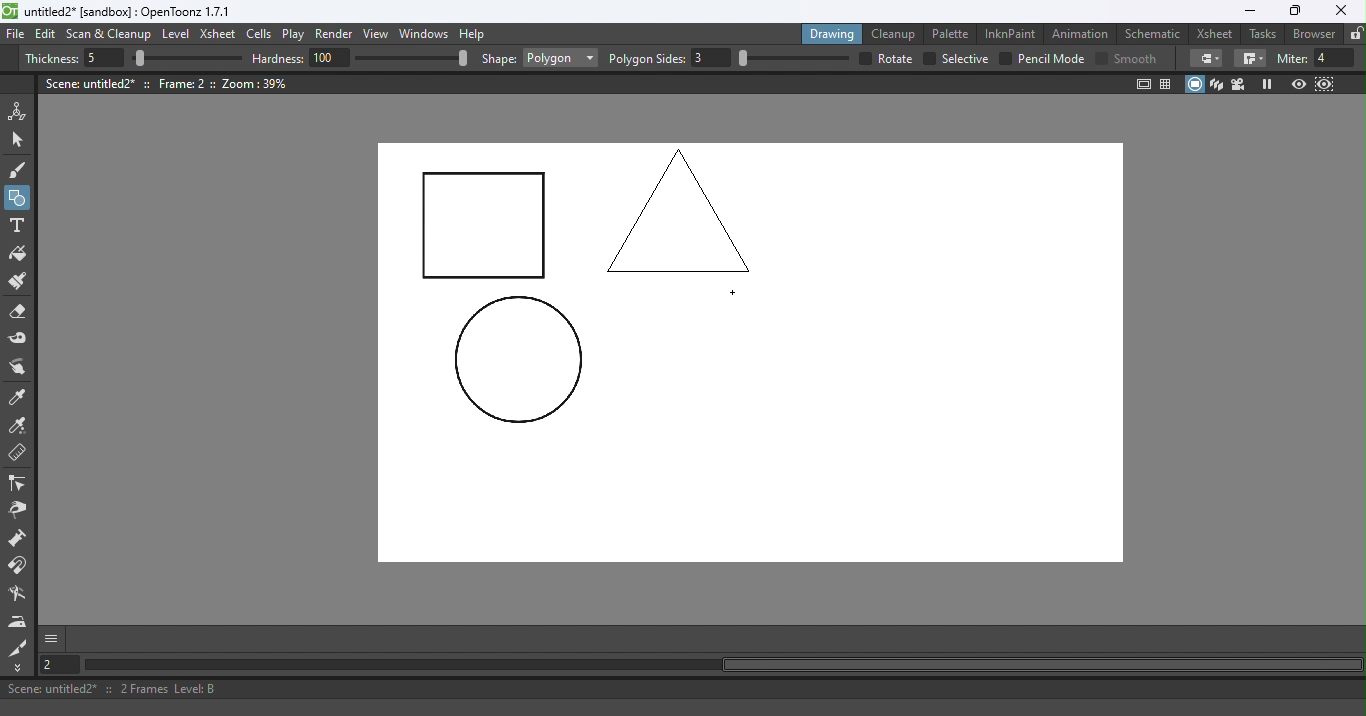  What do you see at coordinates (18, 647) in the screenshot?
I see `Cutter tool` at bounding box center [18, 647].